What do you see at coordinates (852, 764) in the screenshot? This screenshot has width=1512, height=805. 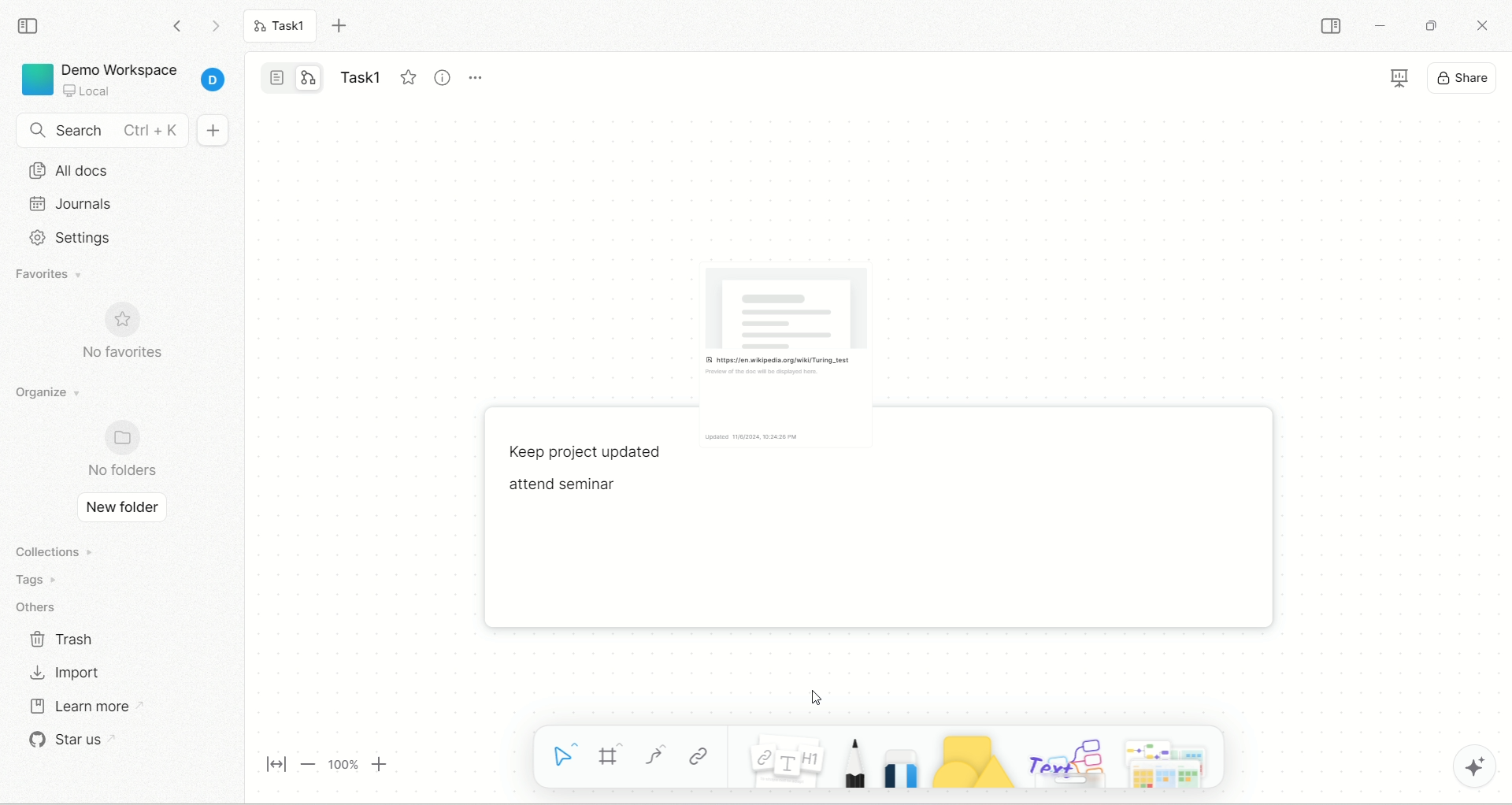 I see `pencil` at bounding box center [852, 764].